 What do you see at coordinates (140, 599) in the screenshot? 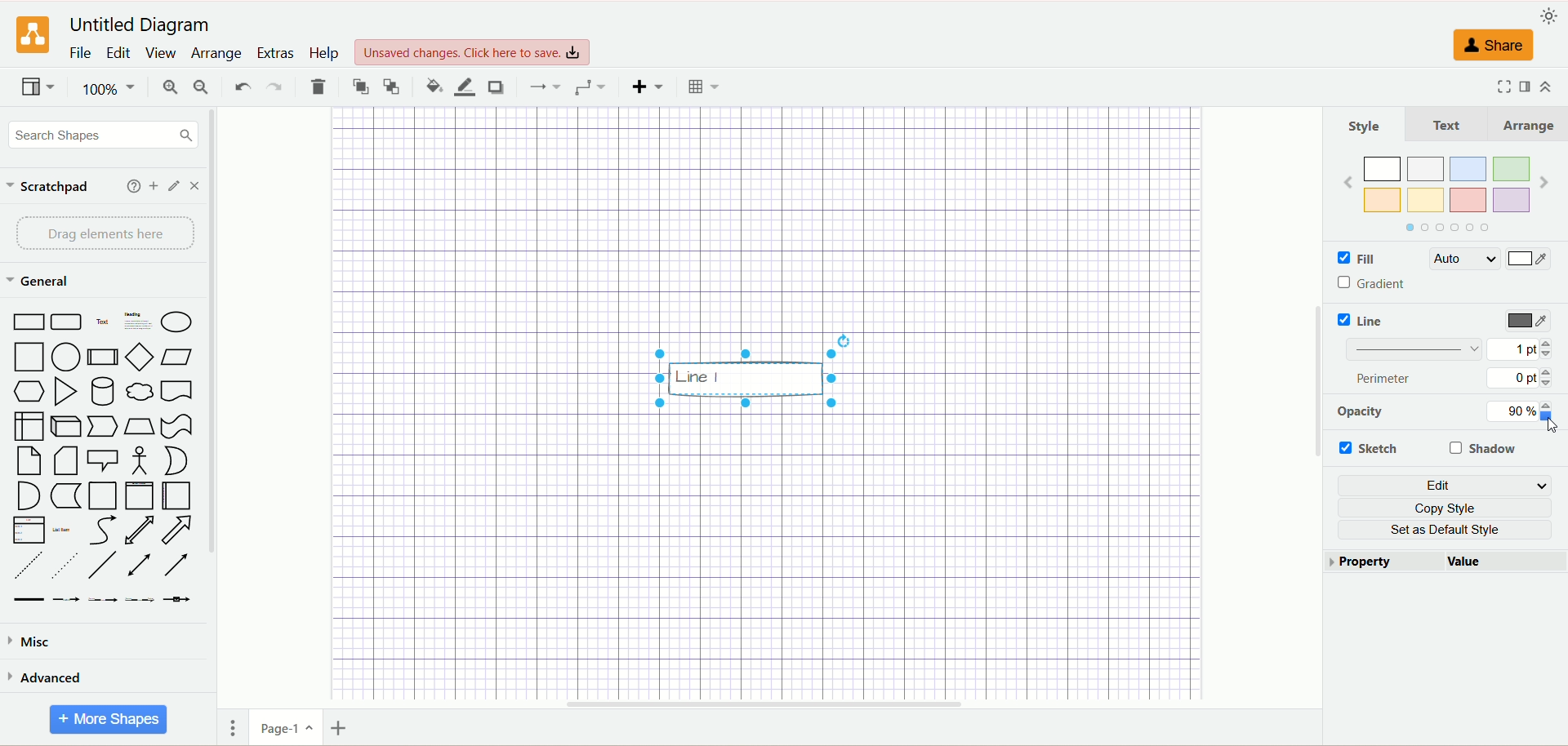
I see `Connector with 3 labels` at bounding box center [140, 599].